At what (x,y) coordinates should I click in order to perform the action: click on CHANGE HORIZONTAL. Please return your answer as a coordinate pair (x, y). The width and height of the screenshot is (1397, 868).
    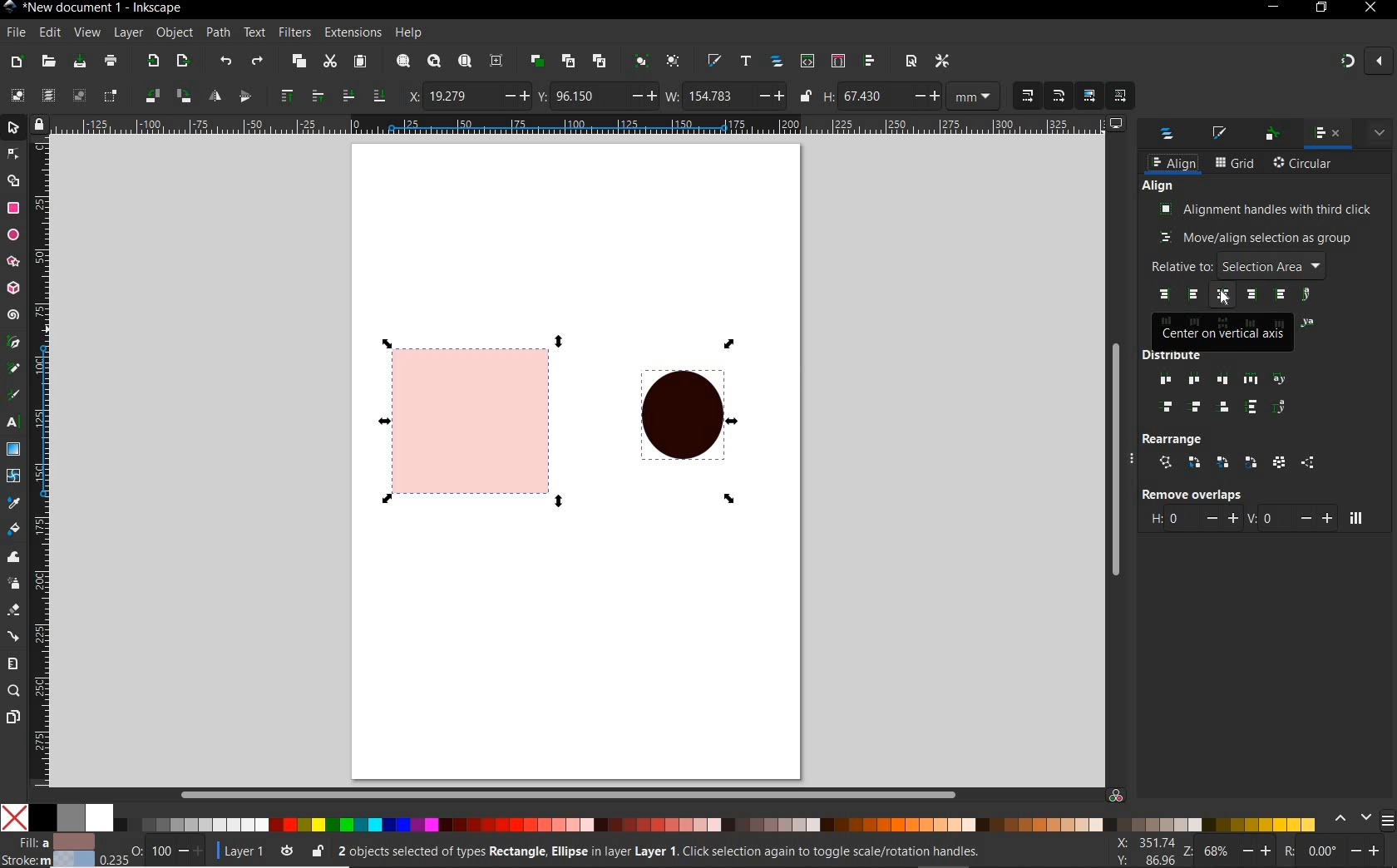
    Looking at the image, I should click on (1193, 520).